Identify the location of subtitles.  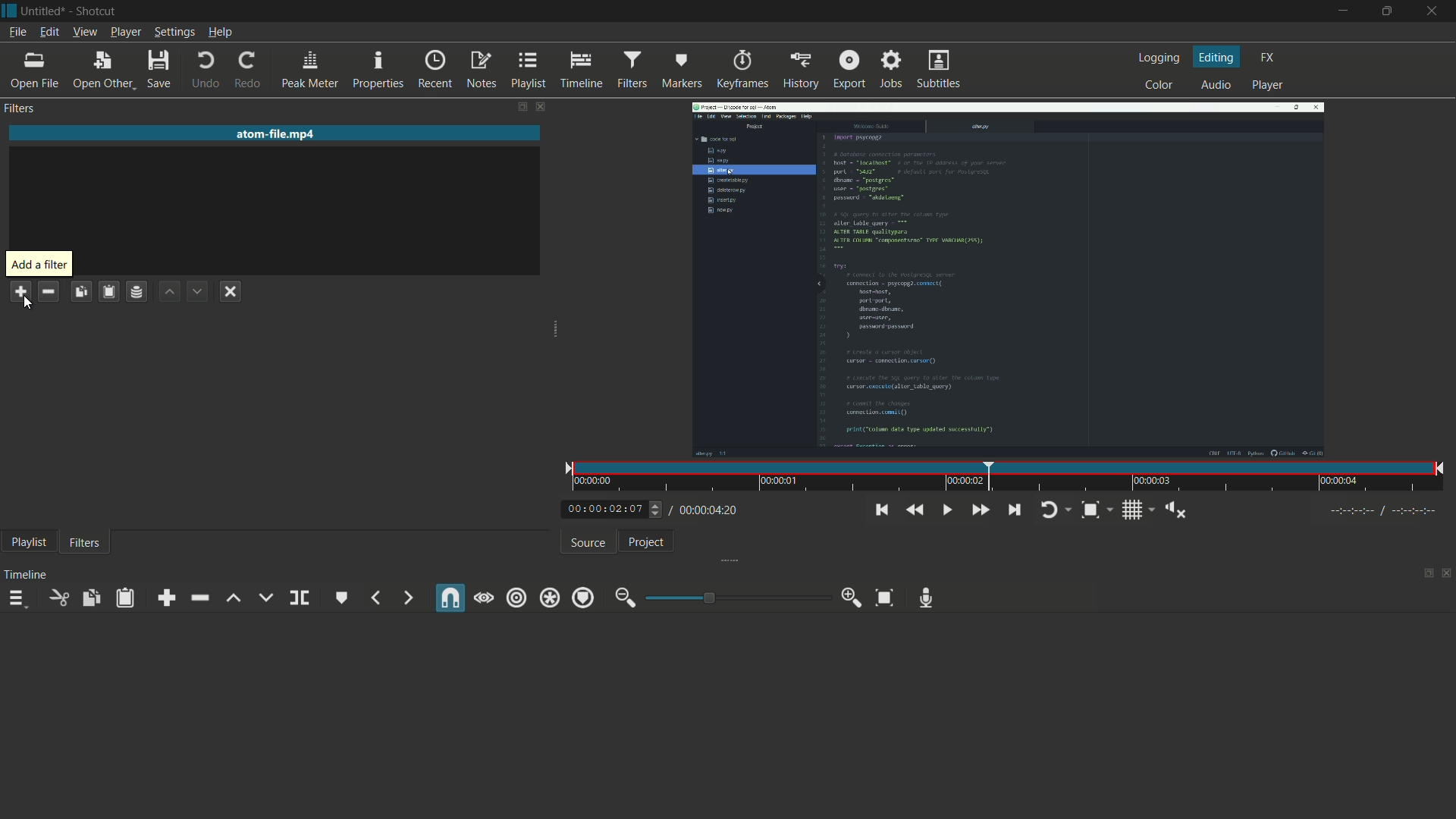
(940, 70).